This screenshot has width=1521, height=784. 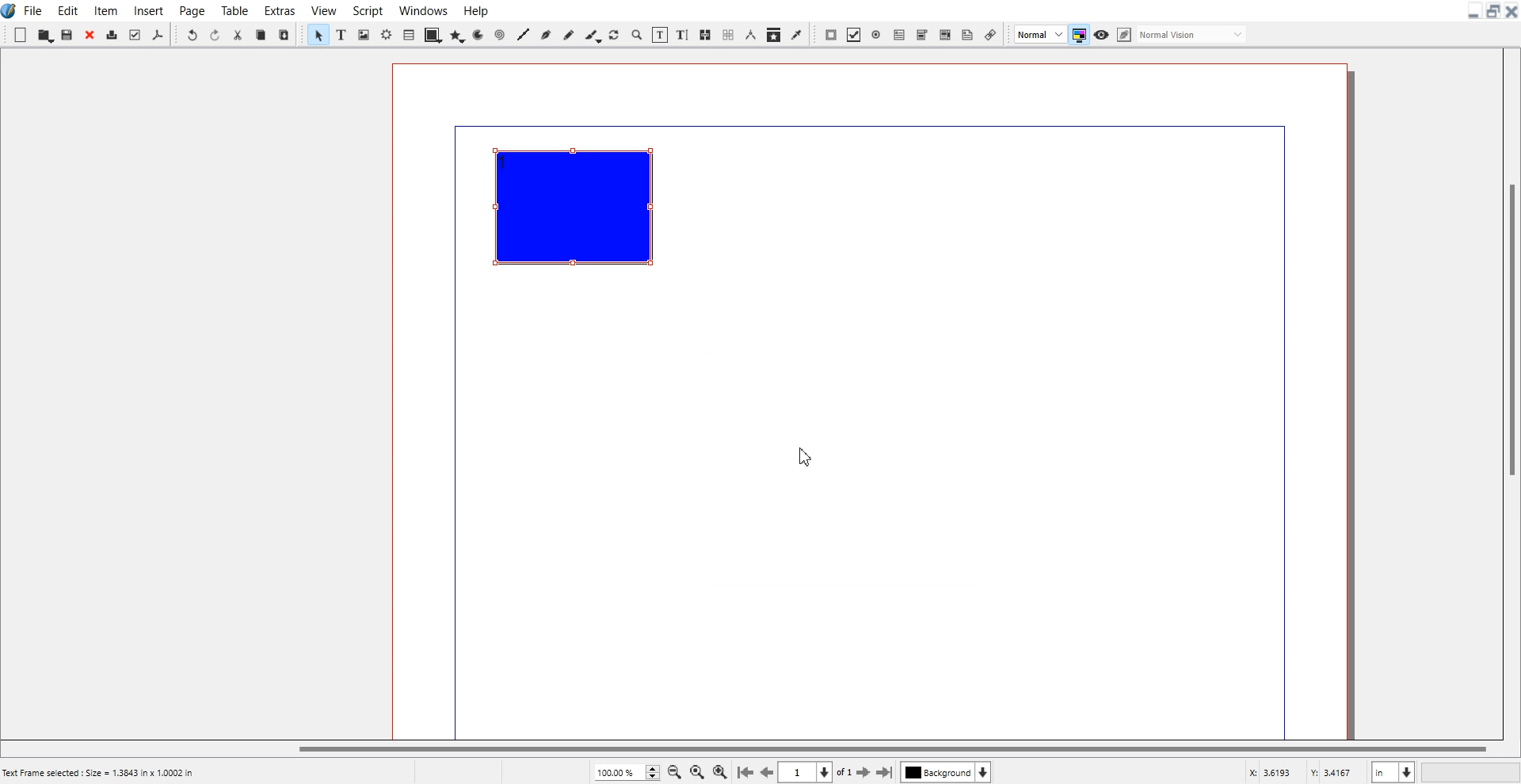 I want to click on Go to the preview mode, so click(x=768, y=772).